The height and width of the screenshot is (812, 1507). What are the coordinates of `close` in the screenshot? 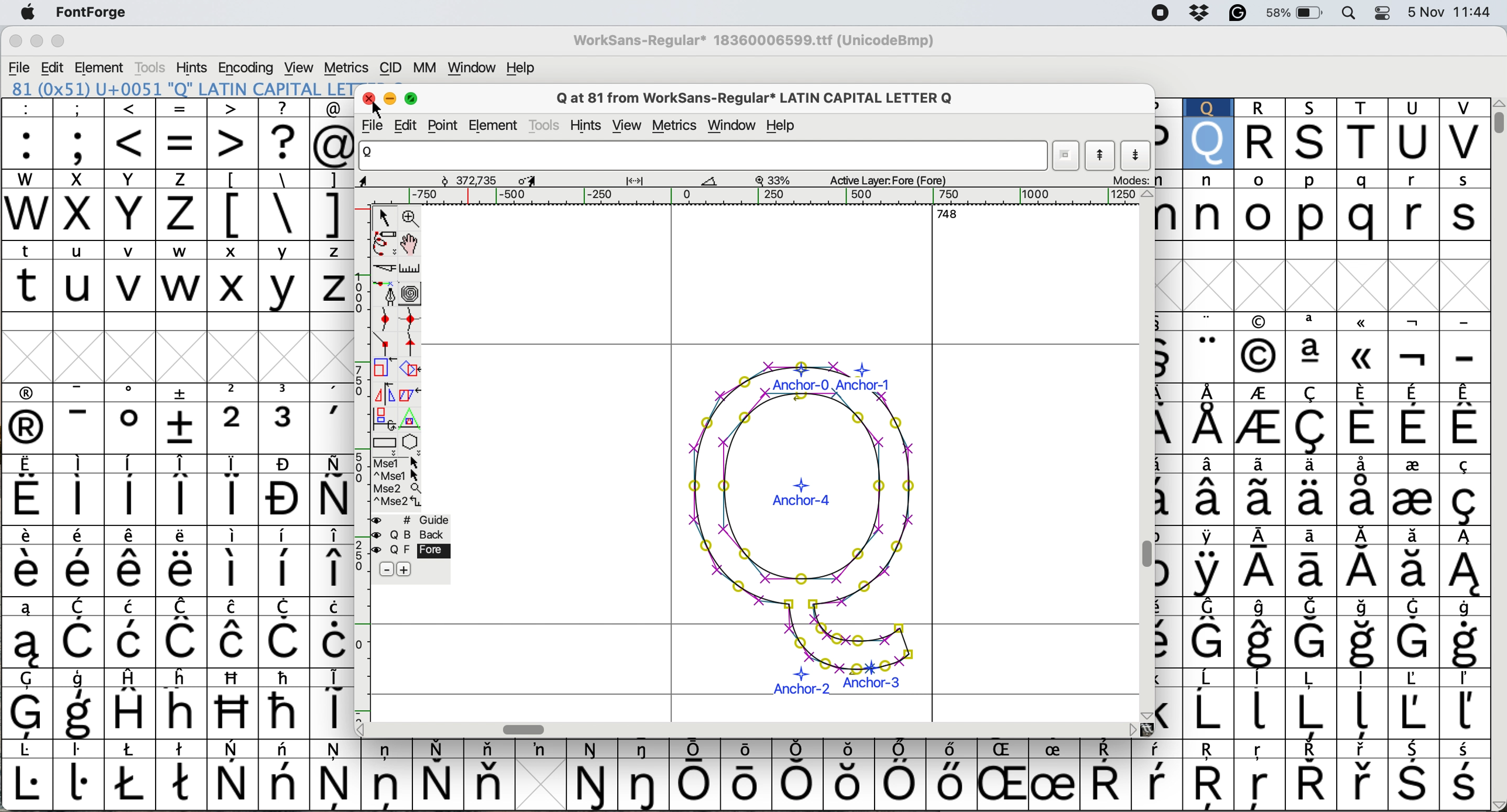 It's located at (15, 40).